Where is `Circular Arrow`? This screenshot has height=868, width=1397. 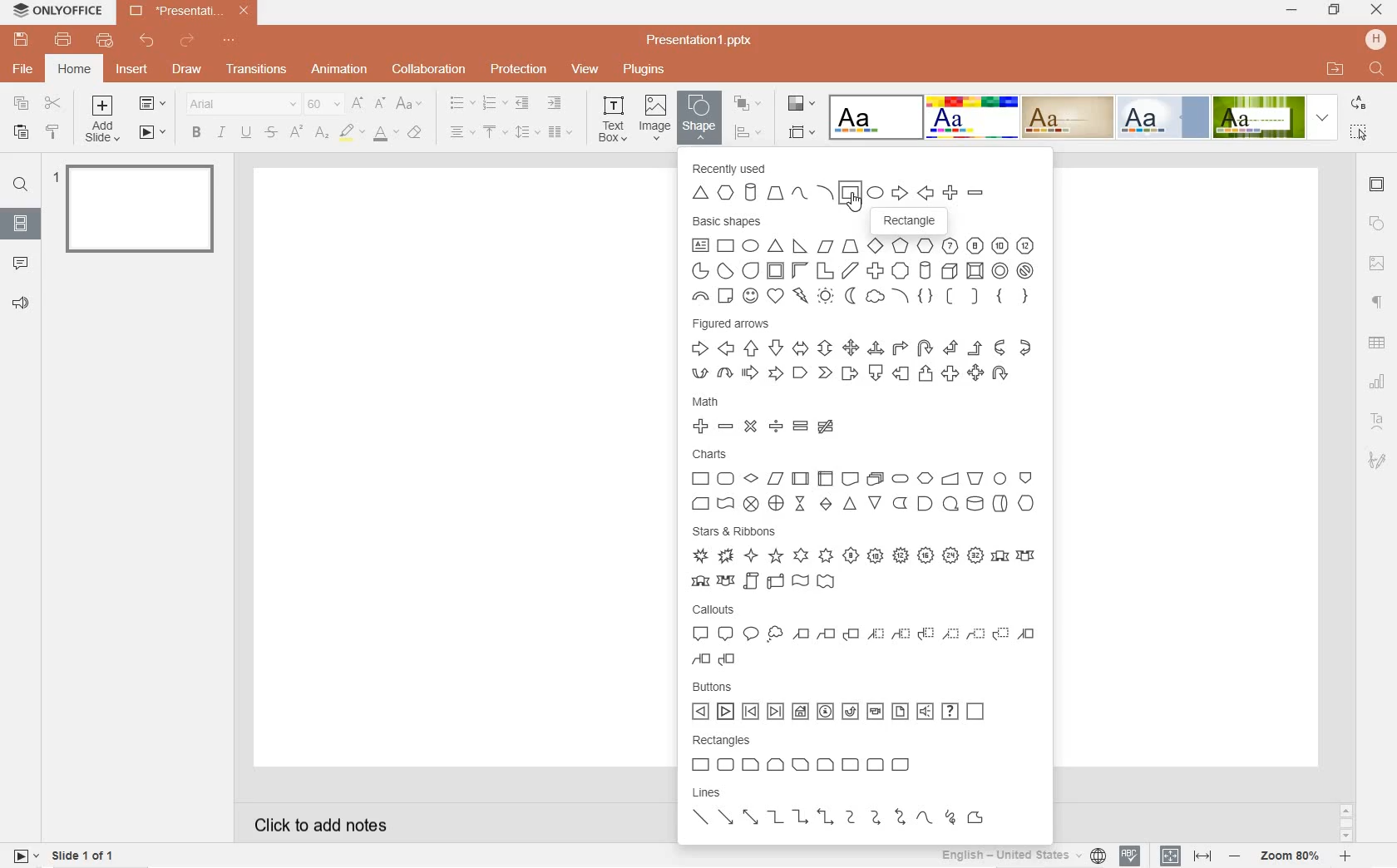 Circular Arrow is located at coordinates (1000, 374).